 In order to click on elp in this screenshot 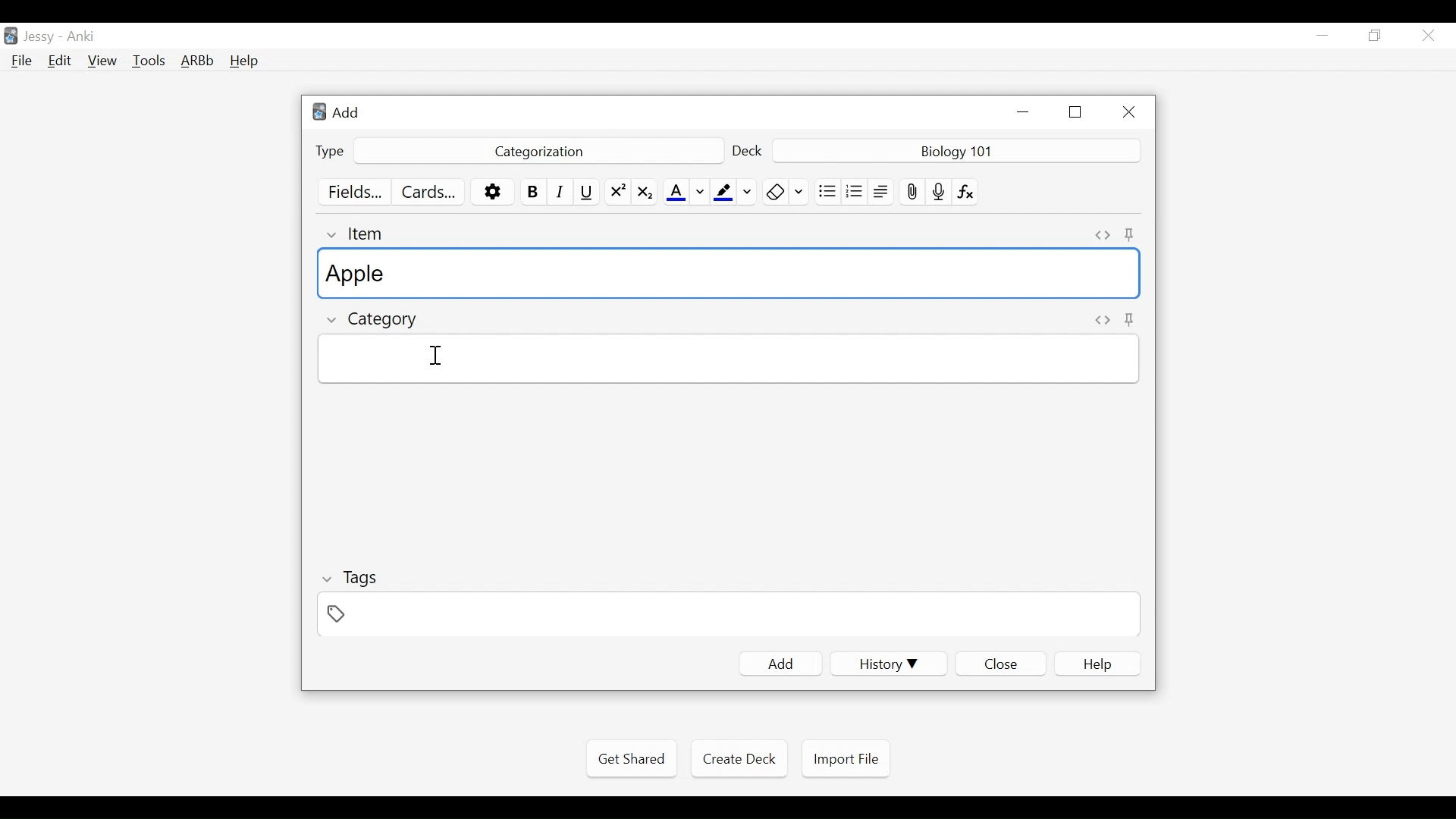, I will do `click(1099, 664)`.